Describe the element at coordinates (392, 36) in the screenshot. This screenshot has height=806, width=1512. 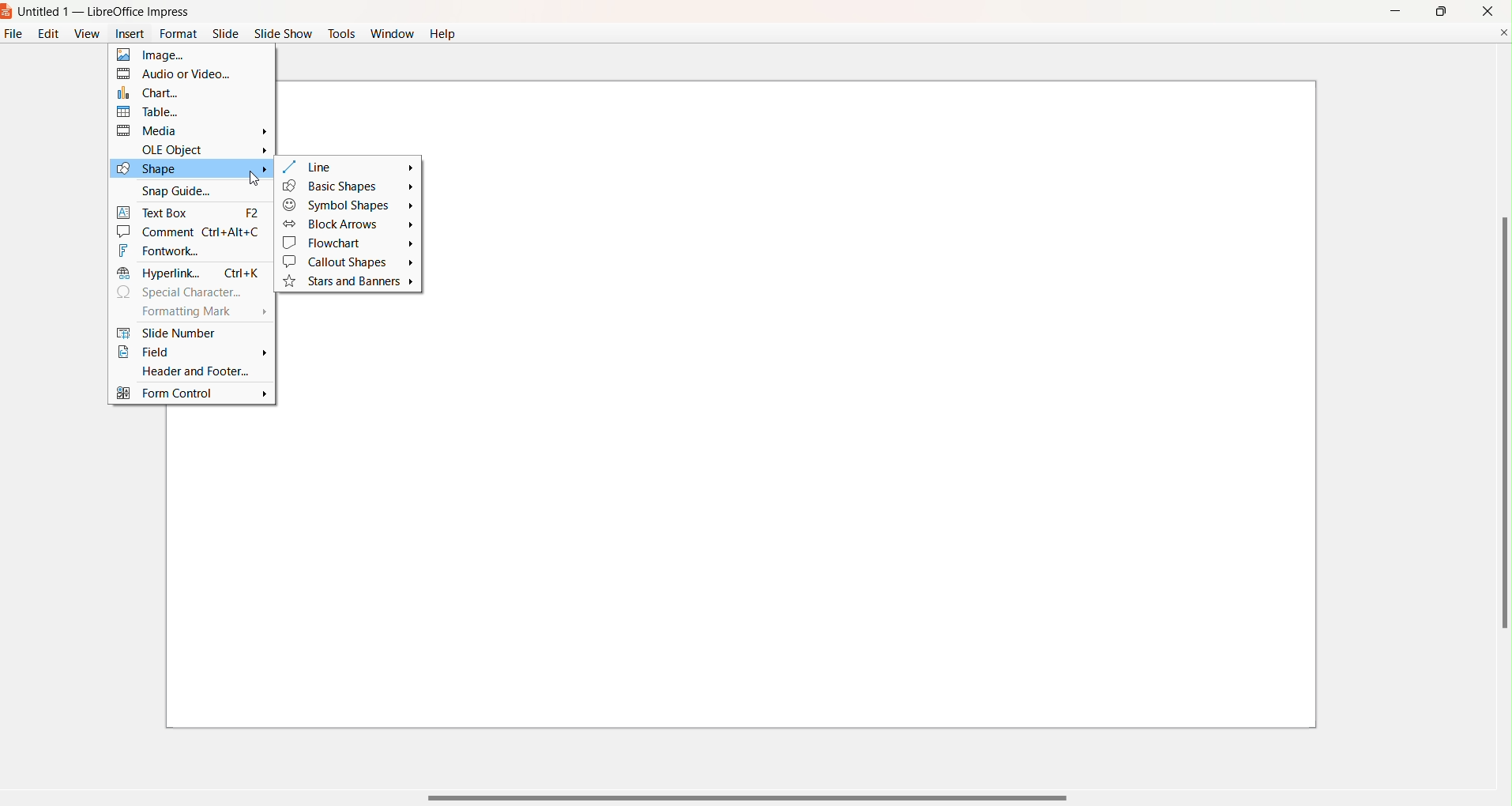
I see `Window` at that location.